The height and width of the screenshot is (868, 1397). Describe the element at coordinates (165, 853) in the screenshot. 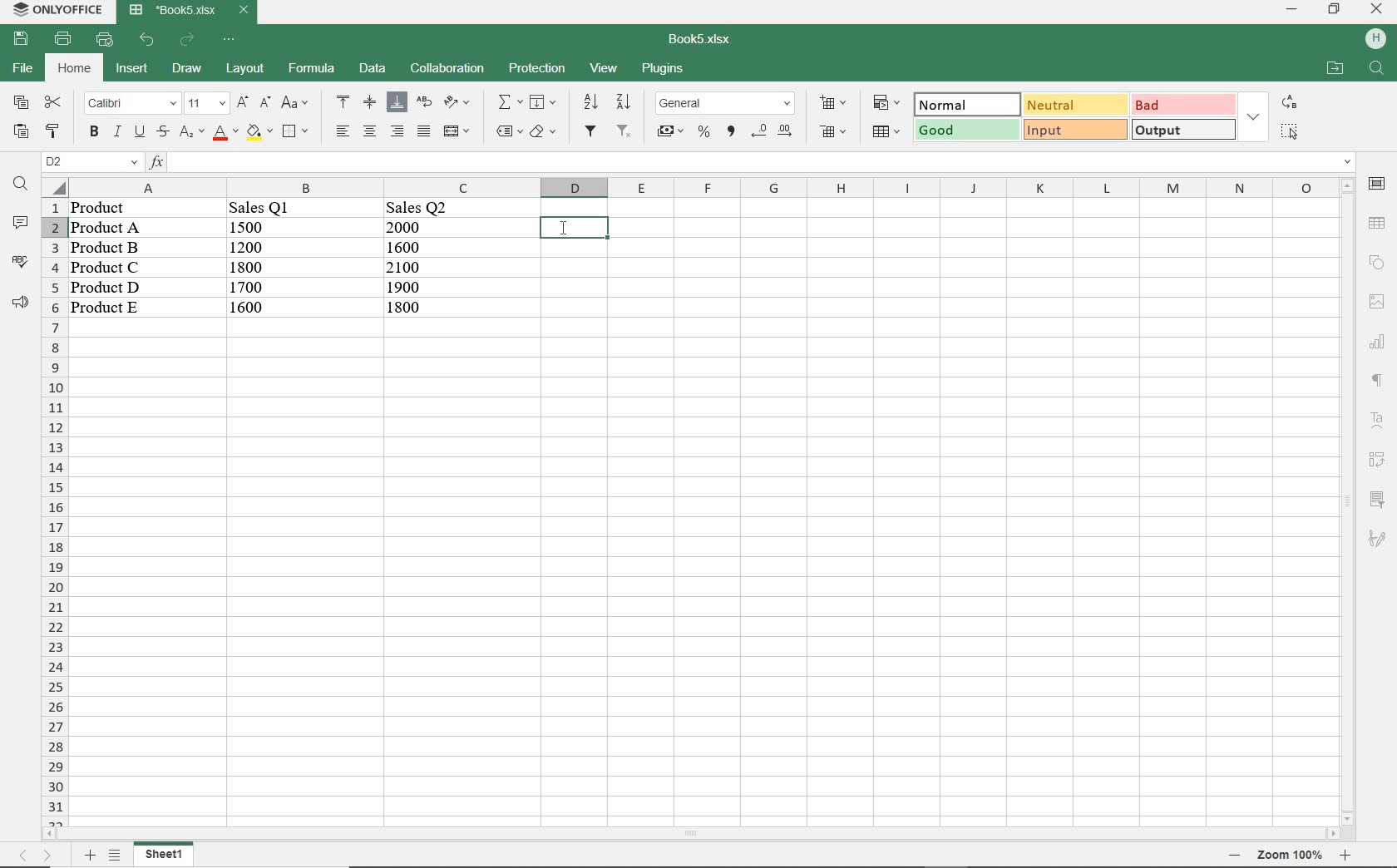

I see `sheet 1` at that location.